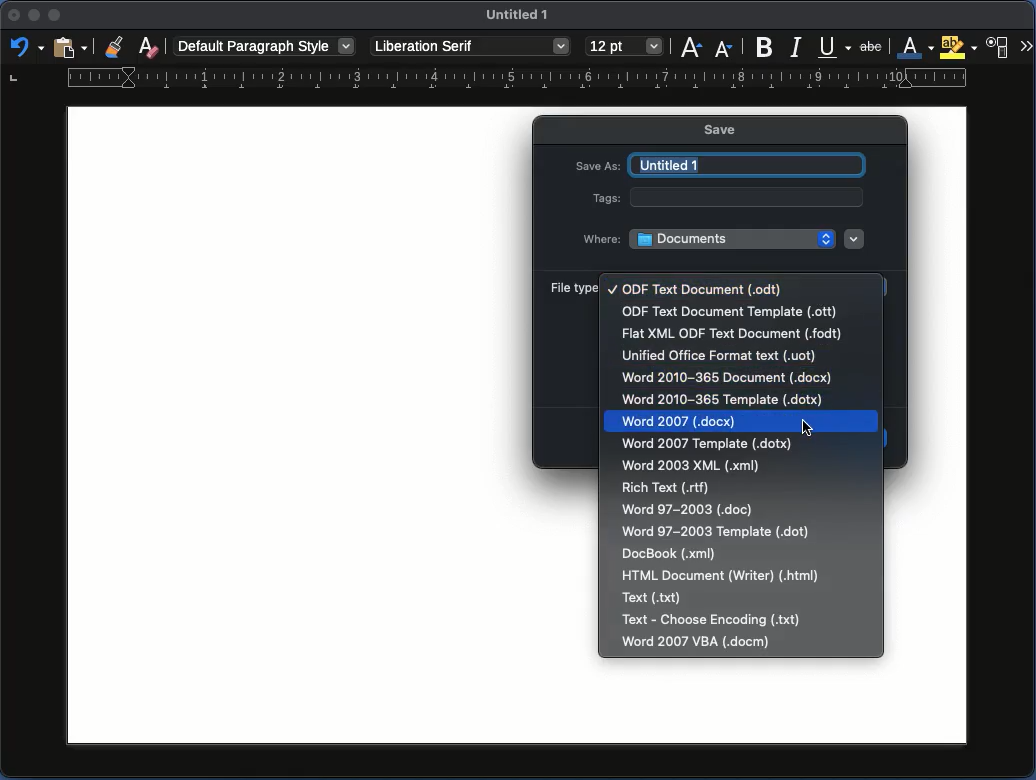 This screenshot has height=780, width=1036. I want to click on documents, so click(732, 238).